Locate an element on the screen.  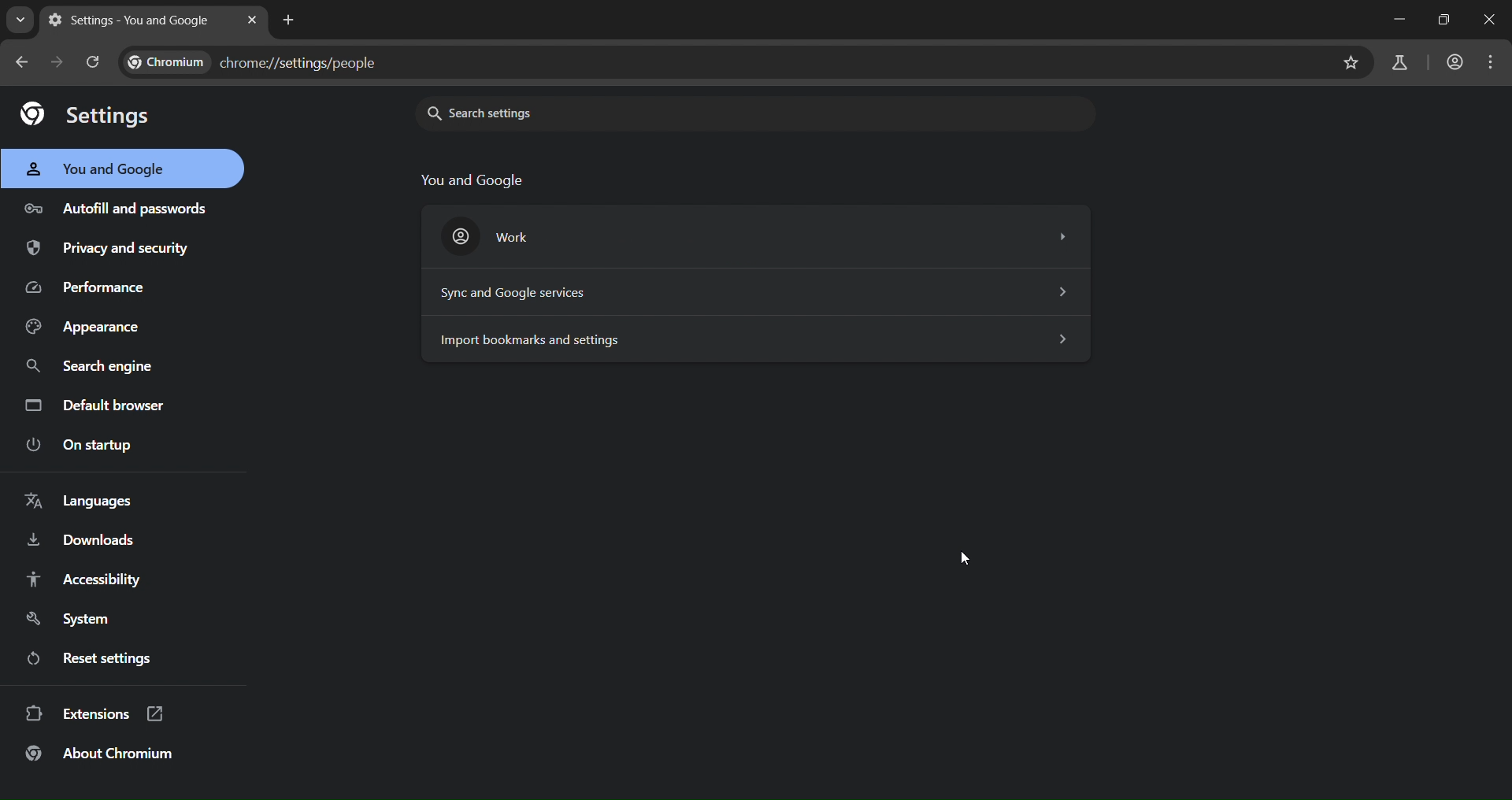
sync and google services is located at coordinates (747, 291).